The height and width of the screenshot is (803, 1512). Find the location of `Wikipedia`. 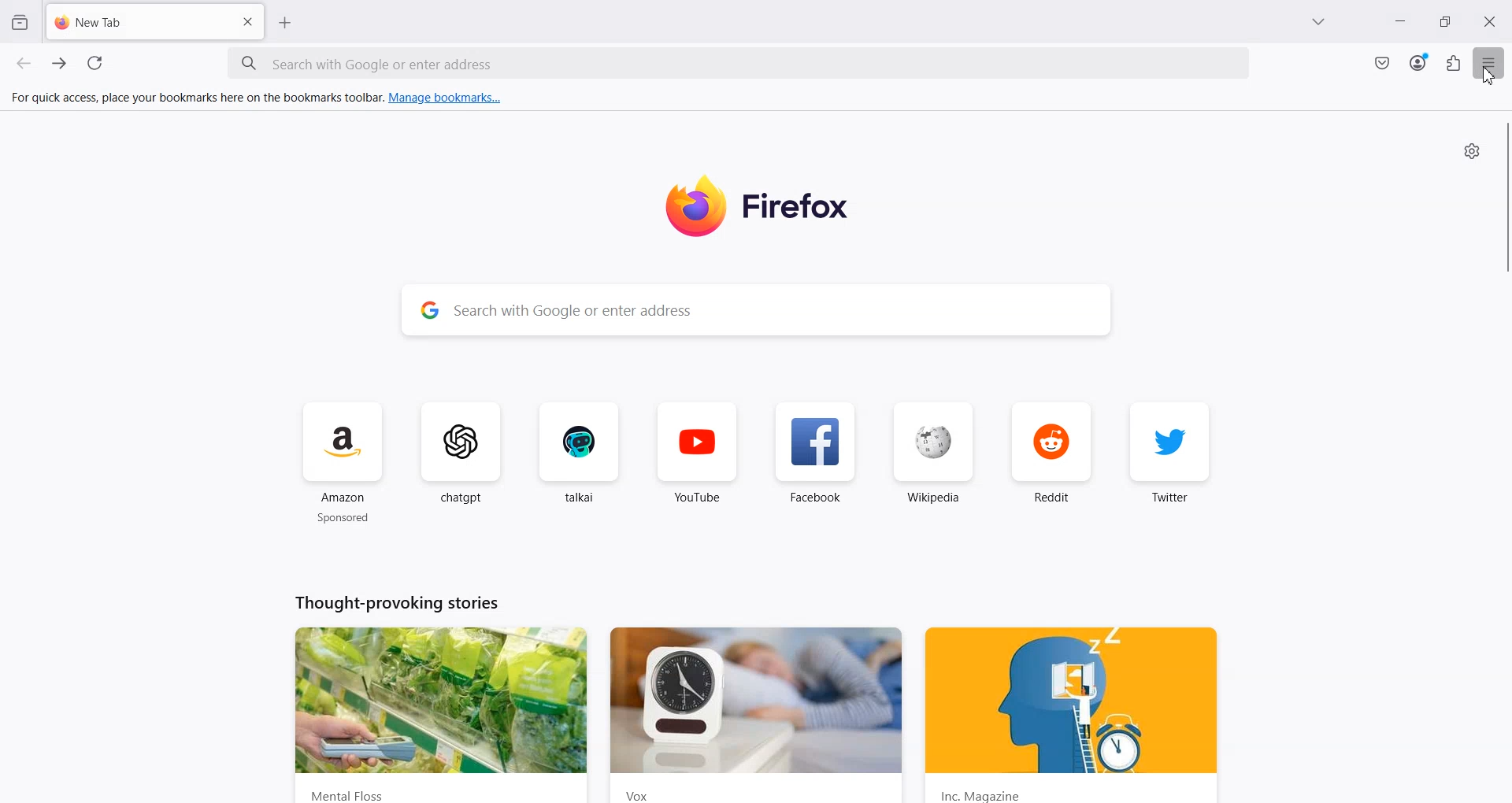

Wikipedia is located at coordinates (936, 464).